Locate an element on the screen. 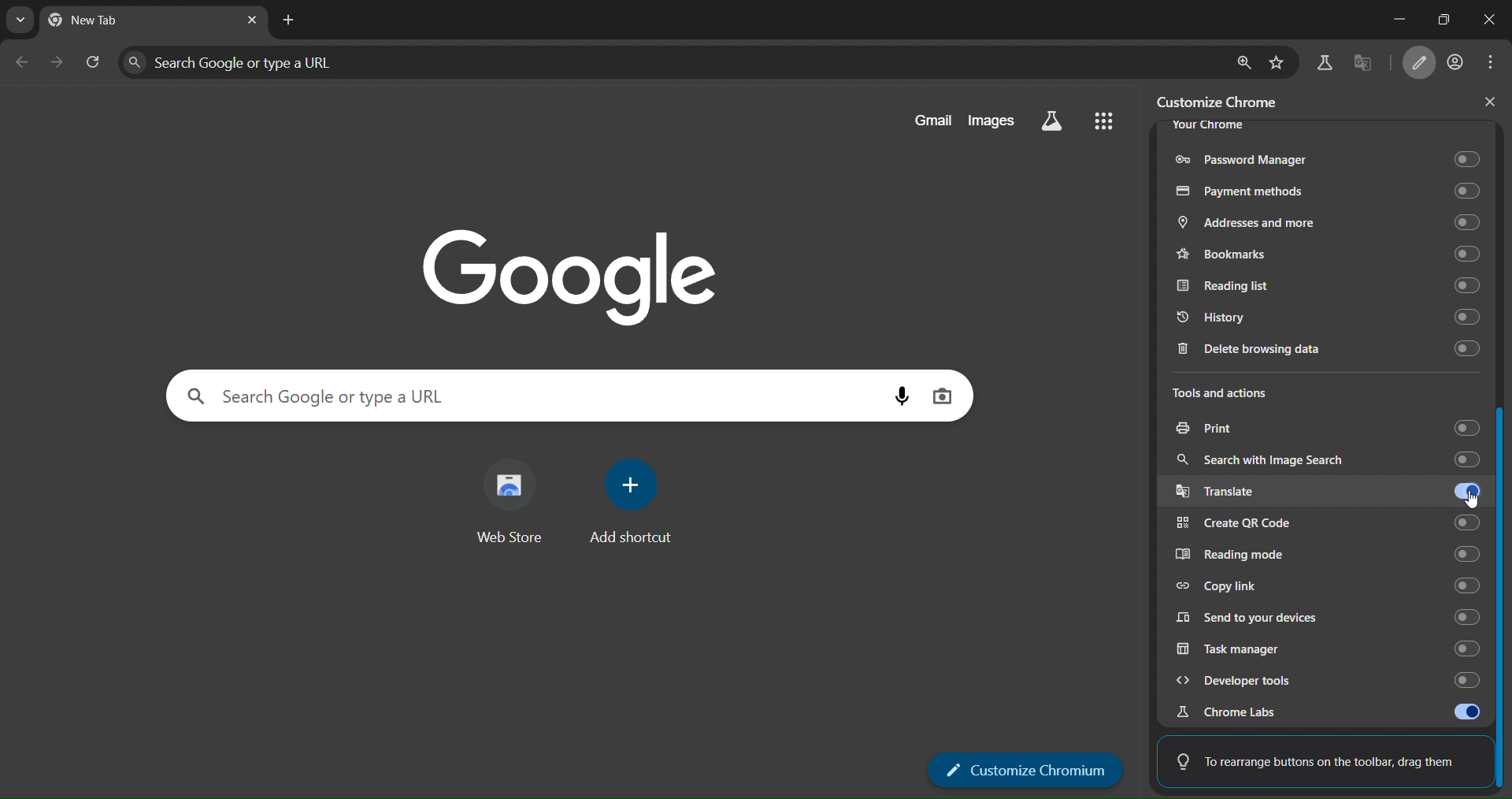 The height and width of the screenshot is (799, 1512). search tabs is located at coordinates (22, 21).